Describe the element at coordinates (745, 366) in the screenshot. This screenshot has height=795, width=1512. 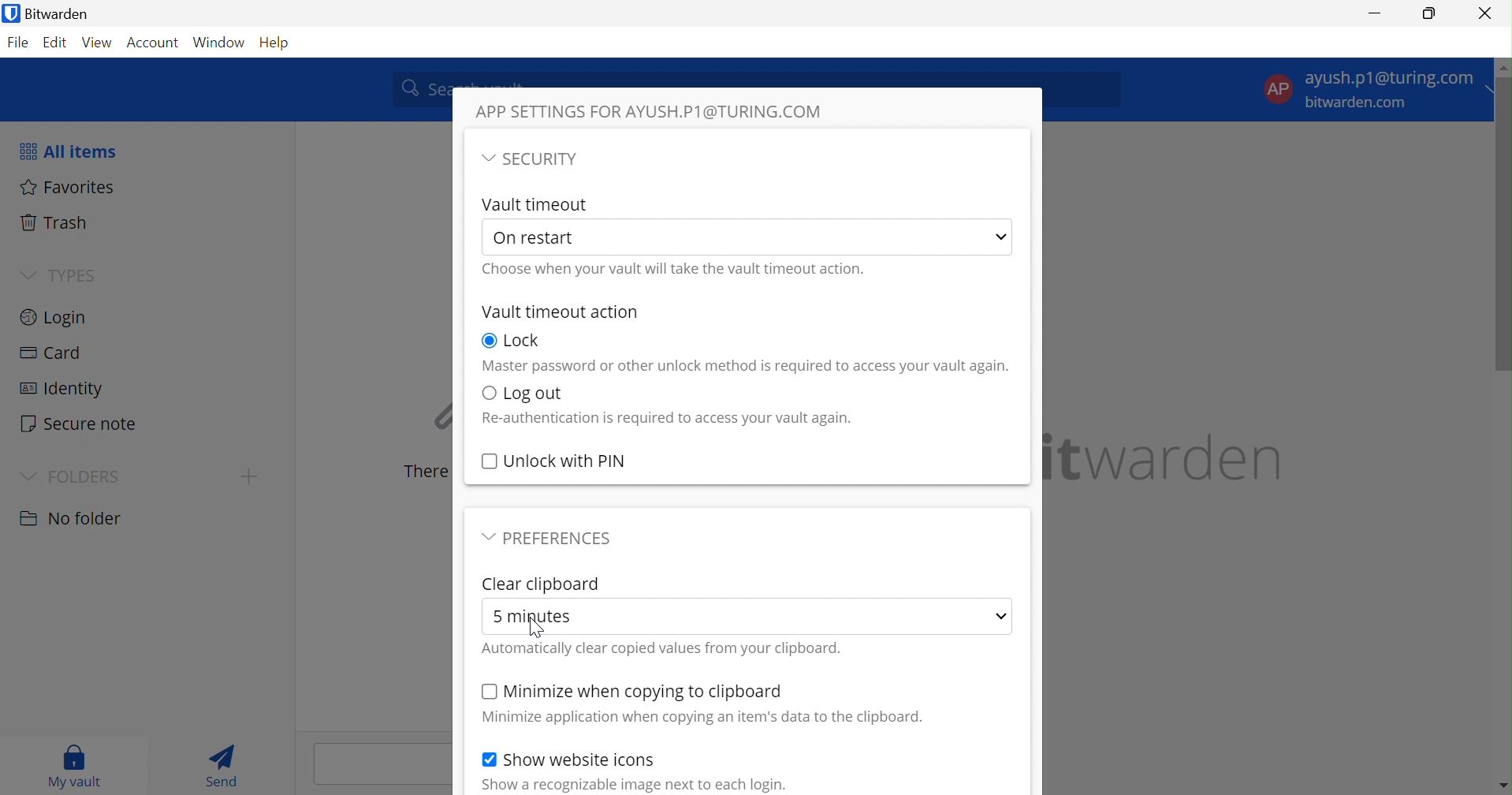
I see `Master password or other unlock method is required to access your vault again.` at that location.